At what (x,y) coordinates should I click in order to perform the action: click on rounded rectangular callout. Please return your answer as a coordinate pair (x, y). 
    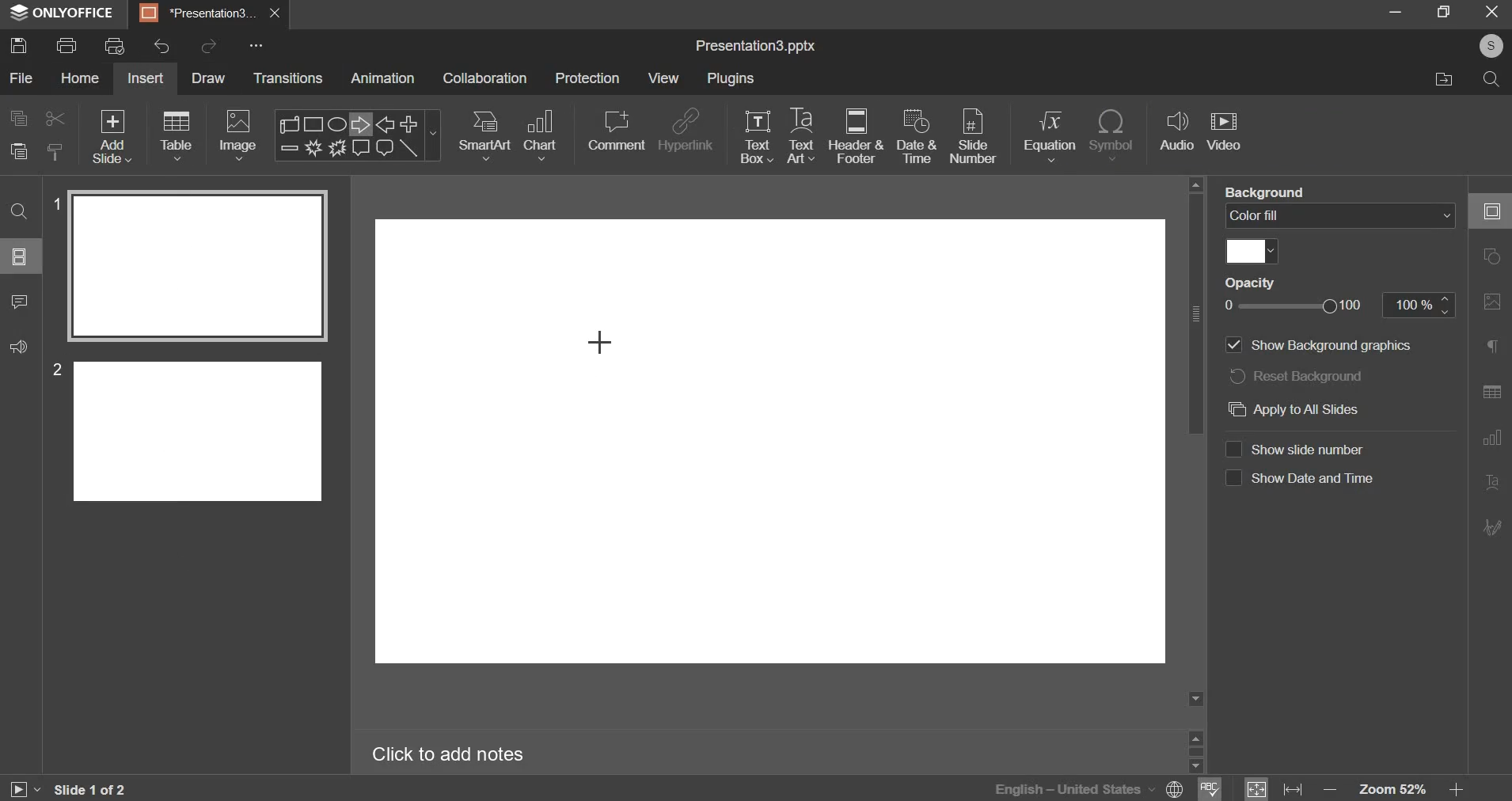
    Looking at the image, I should click on (384, 150).